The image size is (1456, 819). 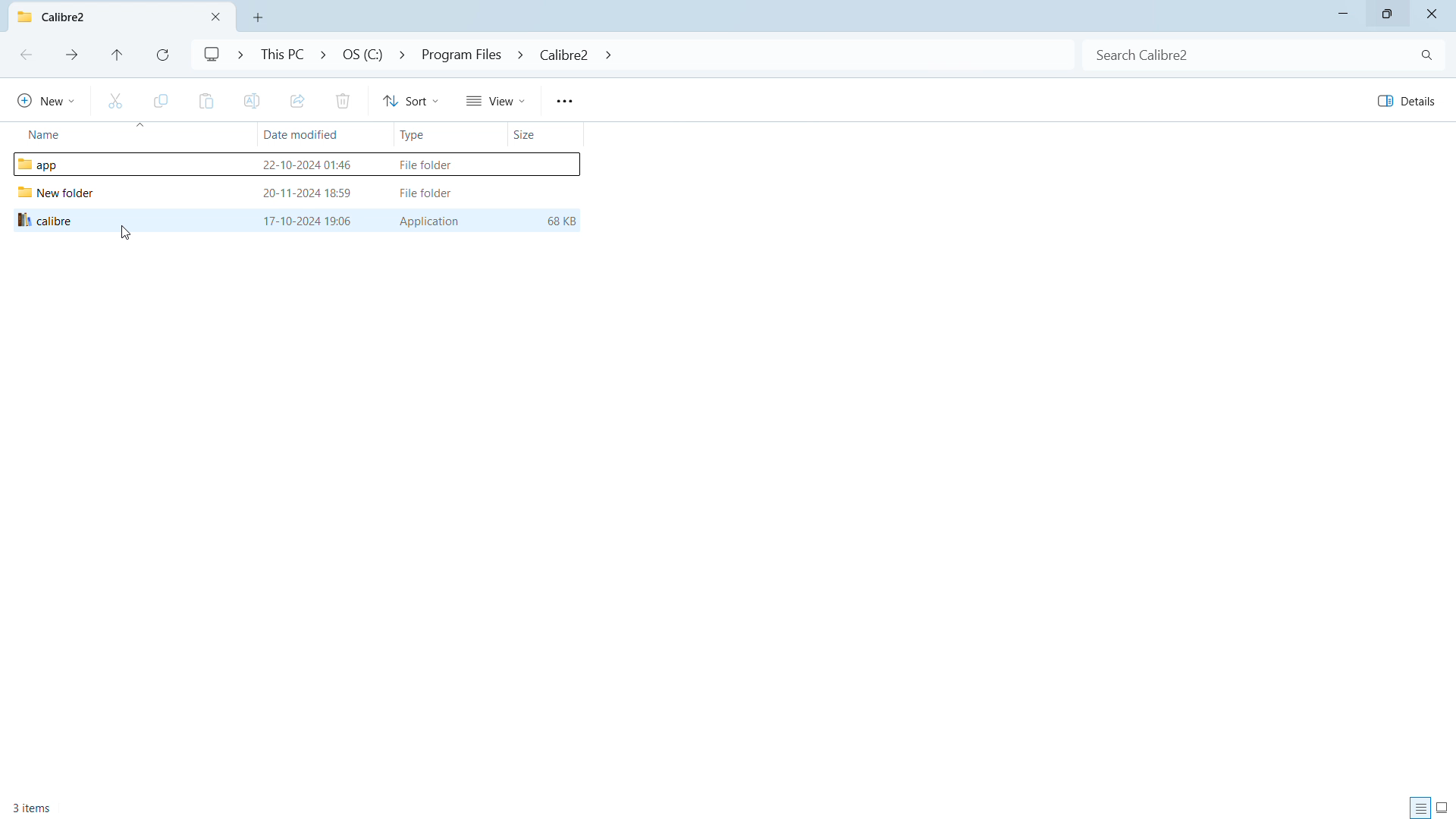 What do you see at coordinates (125, 231) in the screenshot?
I see `cursor` at bounding box center [125, 231].